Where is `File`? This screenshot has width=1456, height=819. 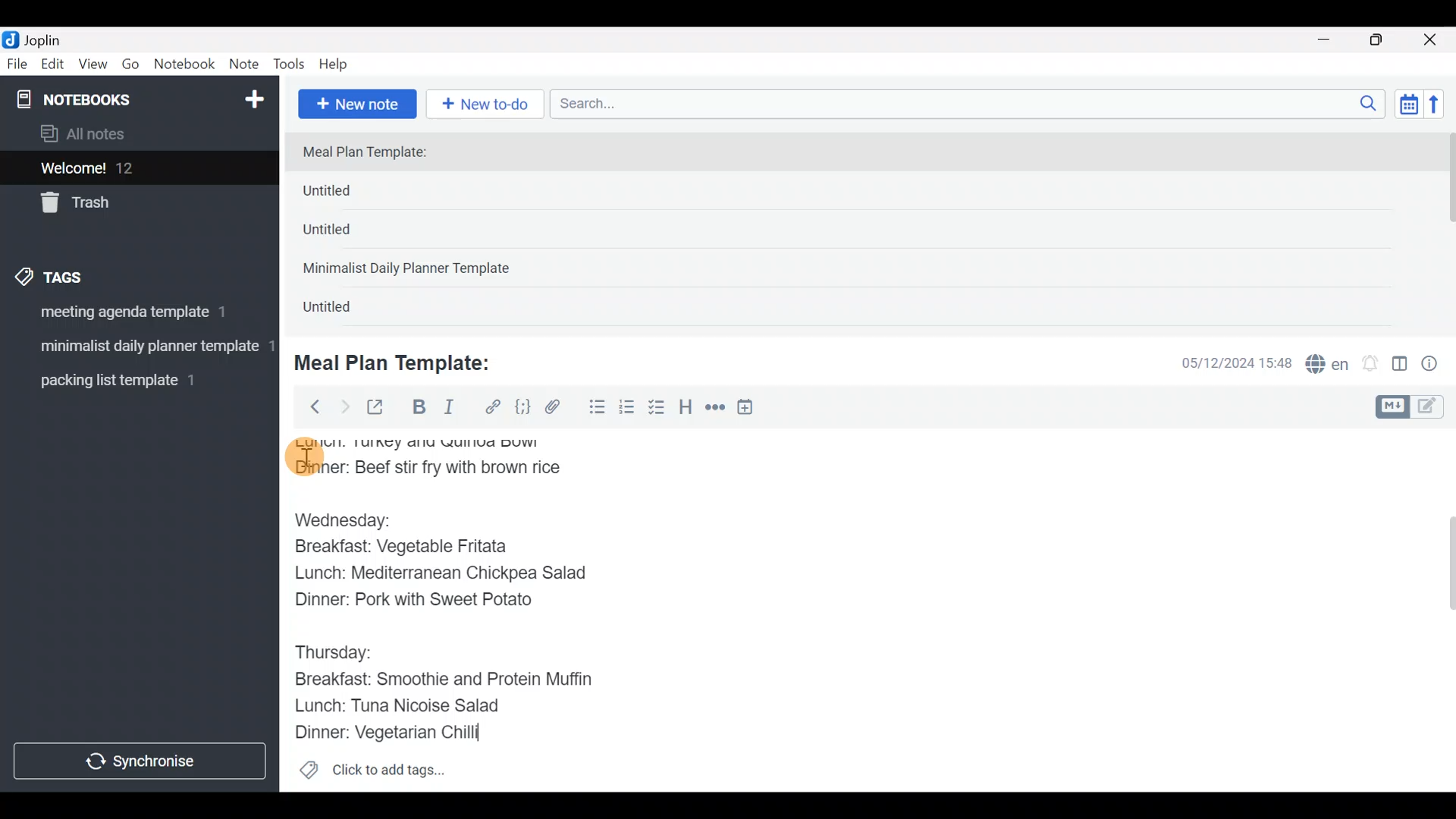
File is located at coordinates (18, 64).